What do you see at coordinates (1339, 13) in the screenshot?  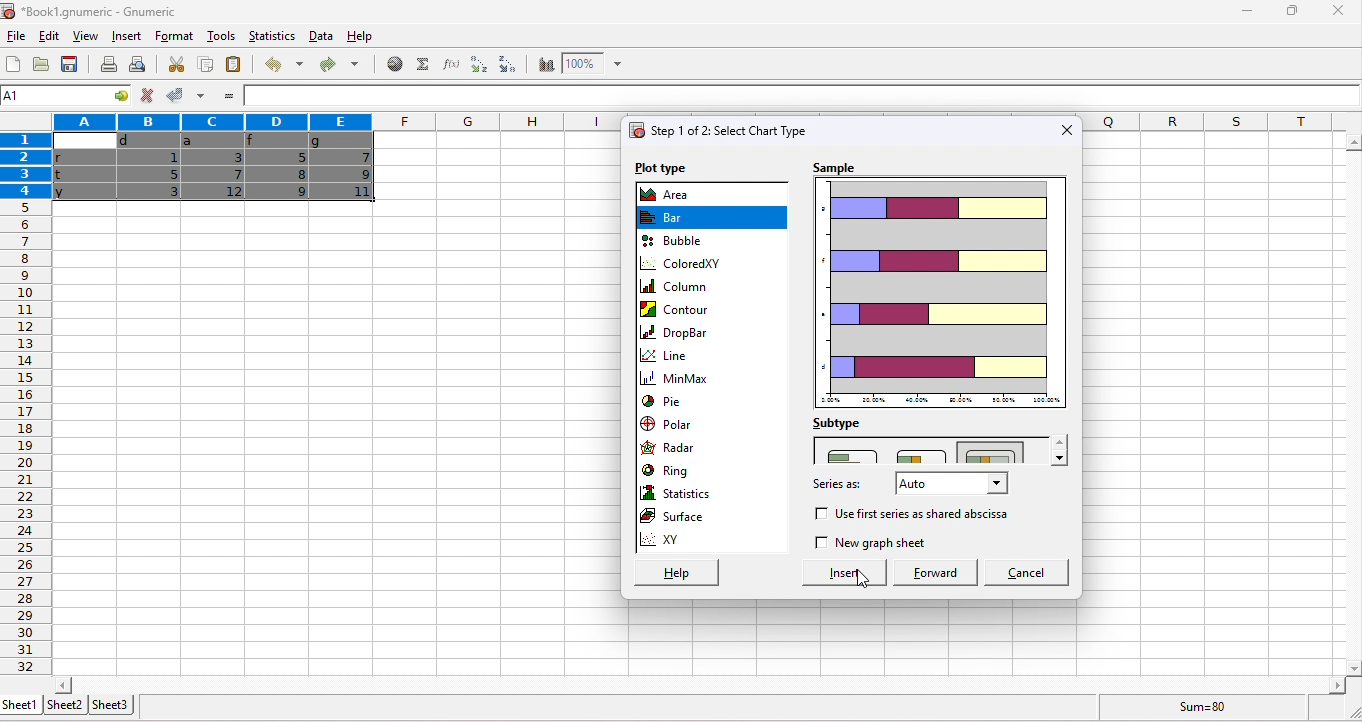 I see `close` at bounding box center [1339, 13].